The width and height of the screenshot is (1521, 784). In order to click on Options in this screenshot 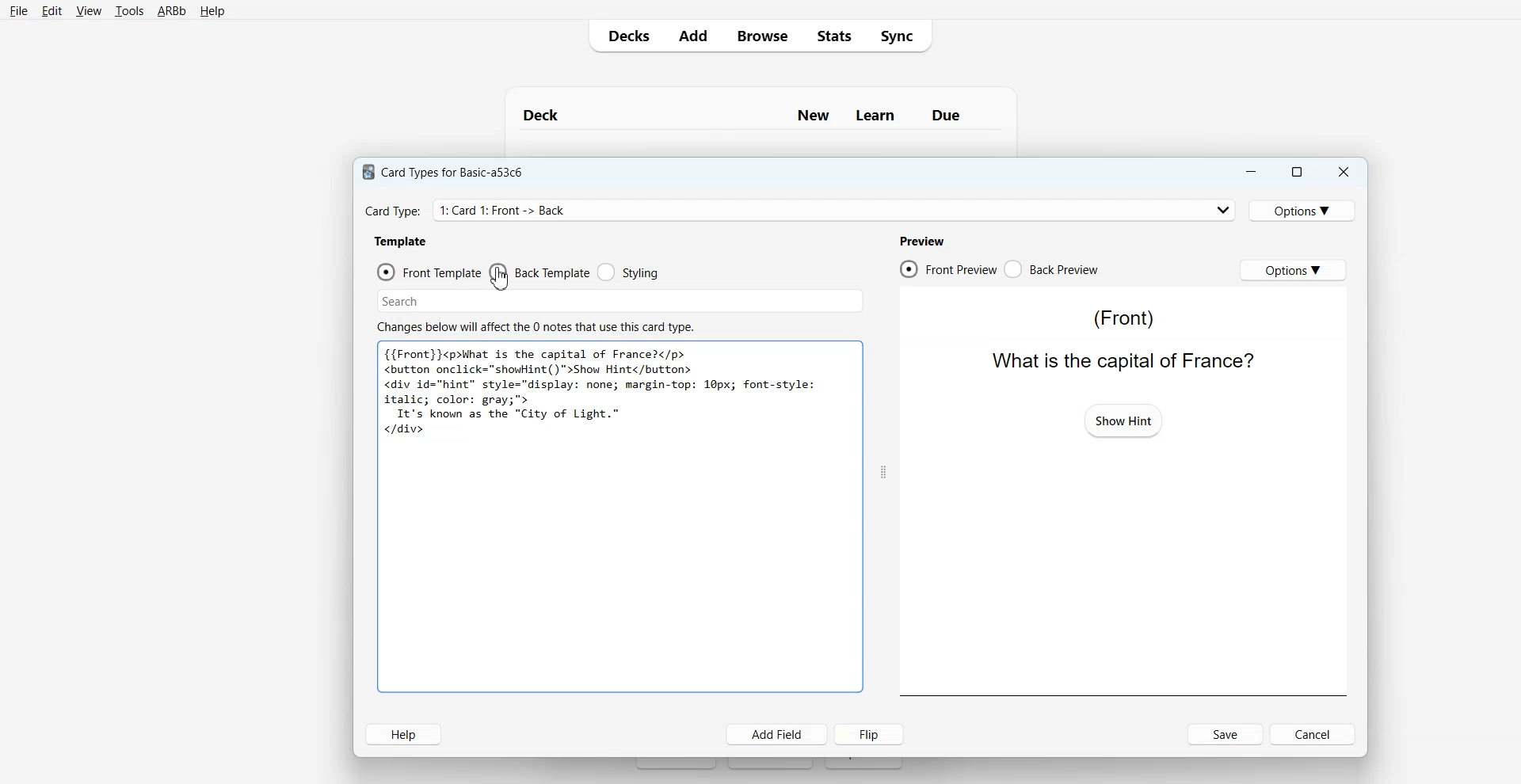, I will do `click(1293, 269)`.